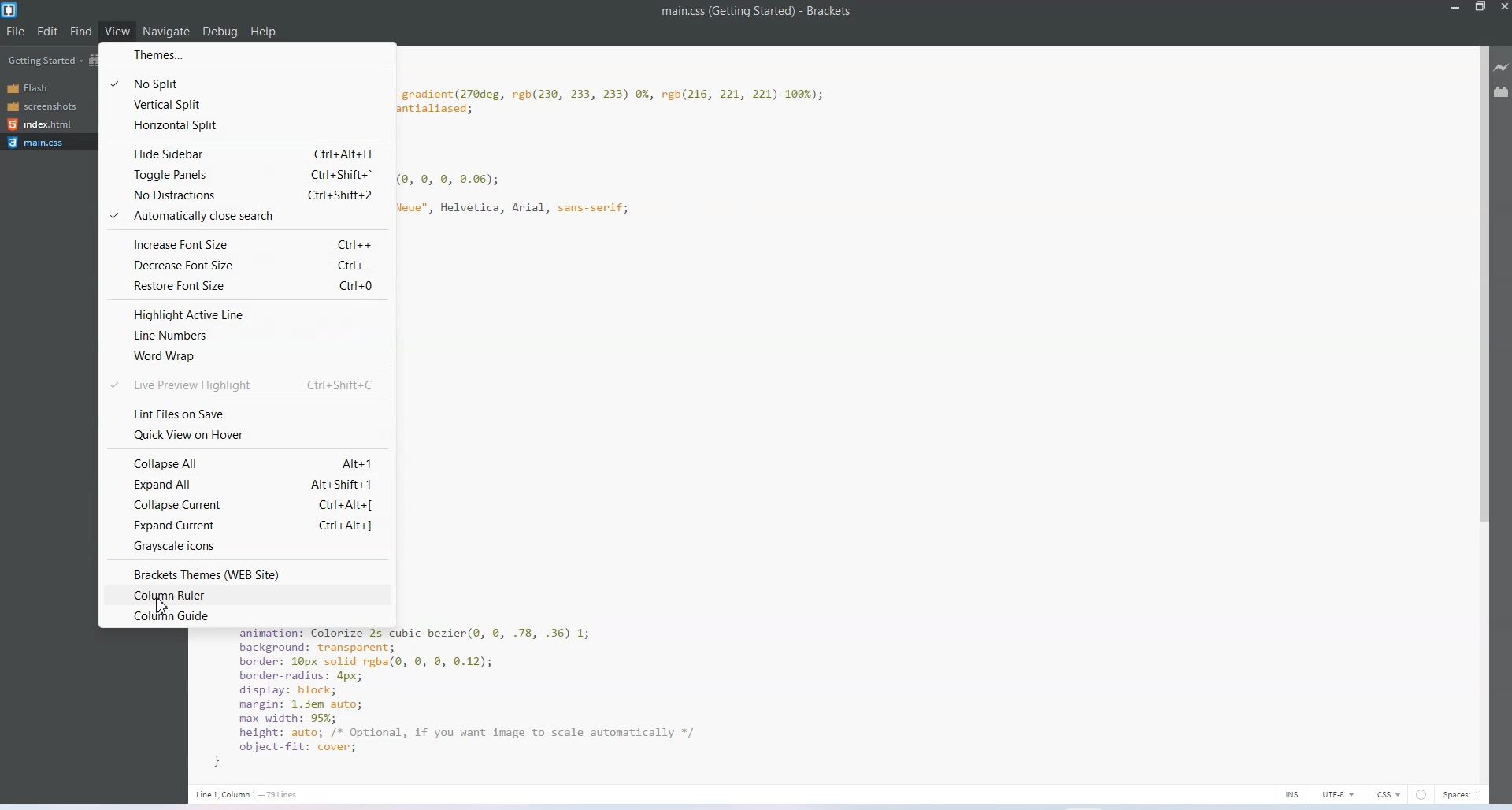 Image resolution: width=1512 pixels, height=810 pixels. Describe the element at coordinates (1421, 793) in the screenshot. I see `errors` at that location.